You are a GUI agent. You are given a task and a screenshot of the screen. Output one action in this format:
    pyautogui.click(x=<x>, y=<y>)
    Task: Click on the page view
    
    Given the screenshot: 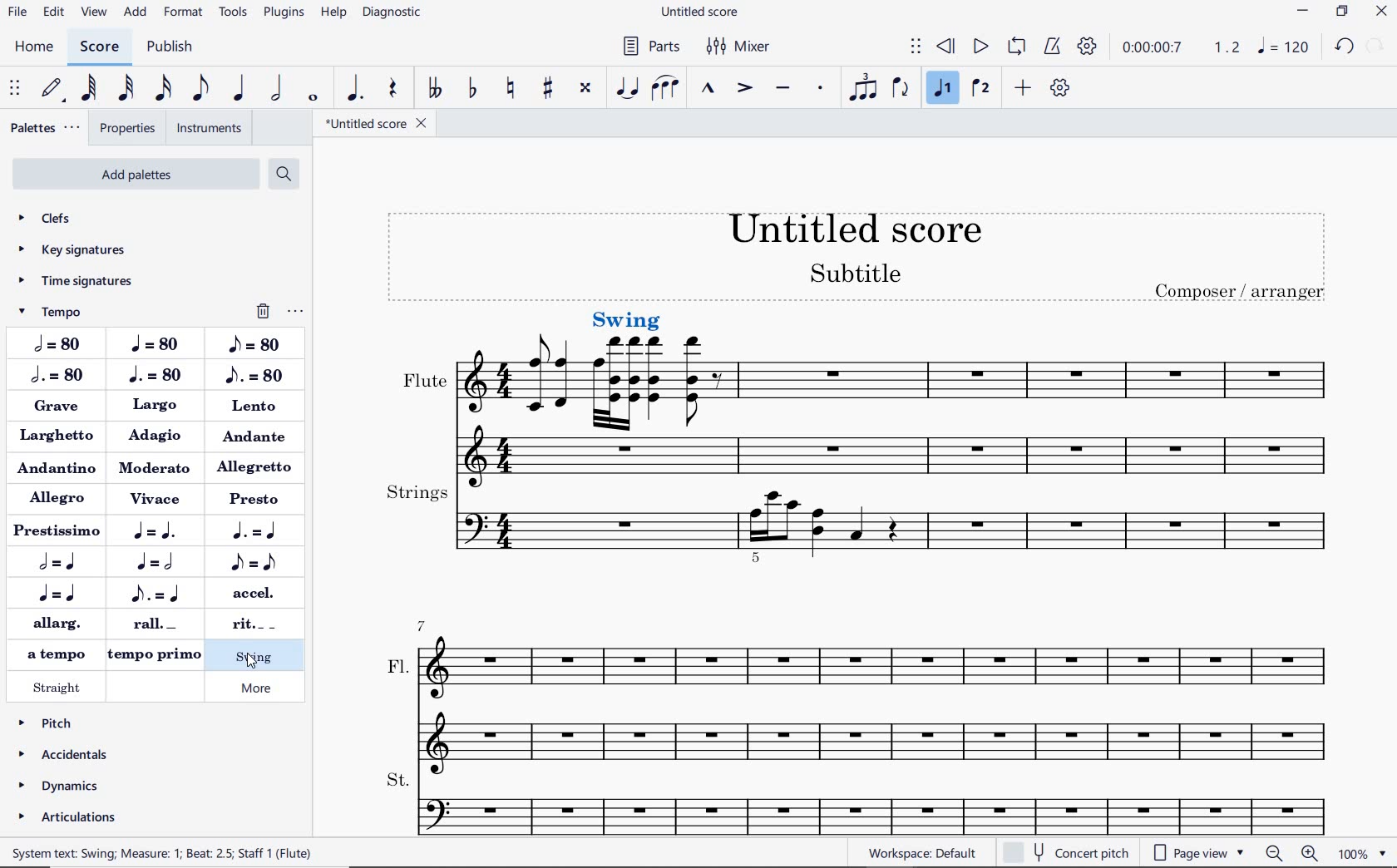 What is the action you would take?
    pyautogui.click(x=1196, y=851)
    